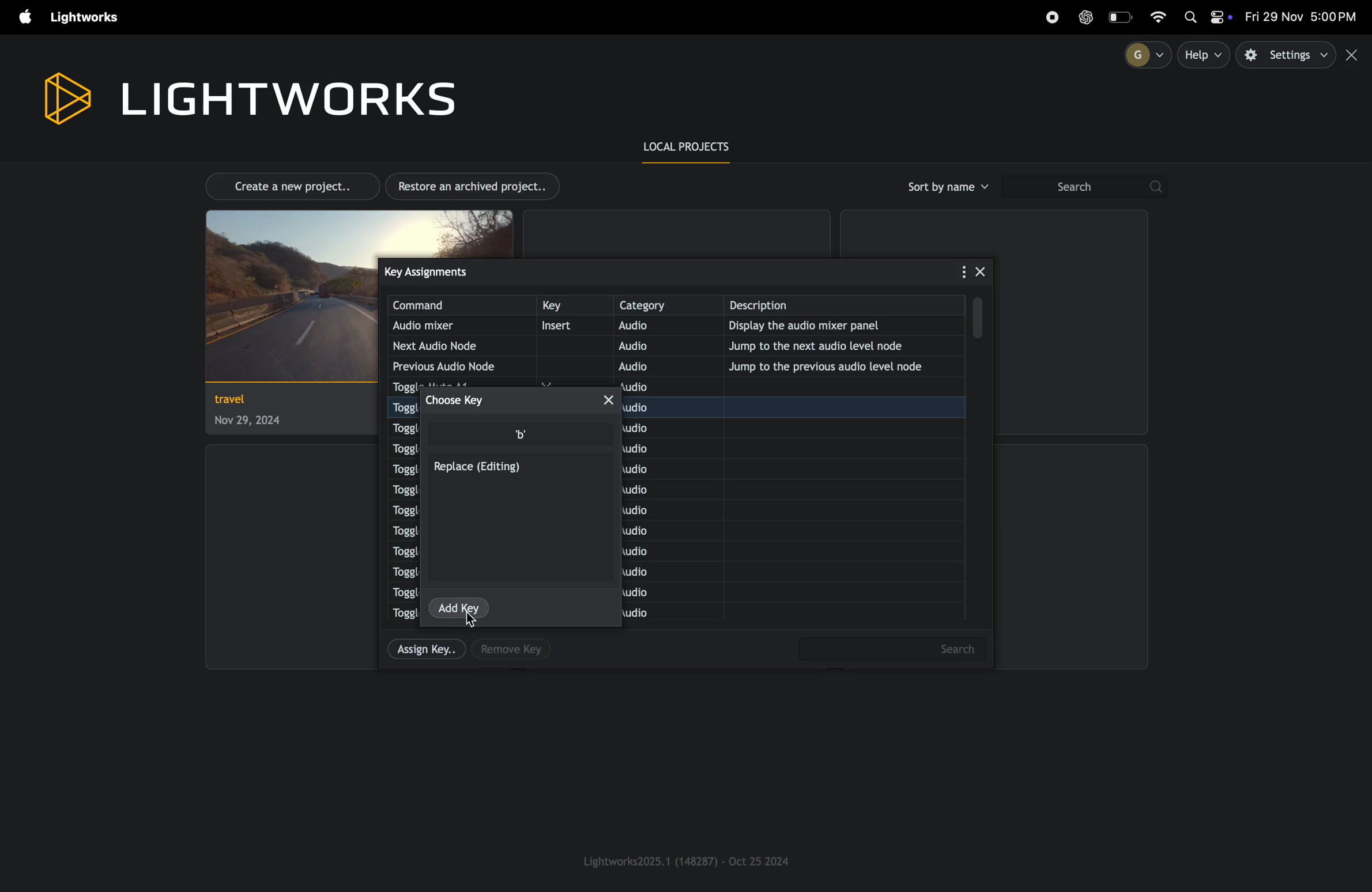  What do you see at coordinates (1219, 103) in the screenshot?
I see `description` at bounding box center [1219, 103].